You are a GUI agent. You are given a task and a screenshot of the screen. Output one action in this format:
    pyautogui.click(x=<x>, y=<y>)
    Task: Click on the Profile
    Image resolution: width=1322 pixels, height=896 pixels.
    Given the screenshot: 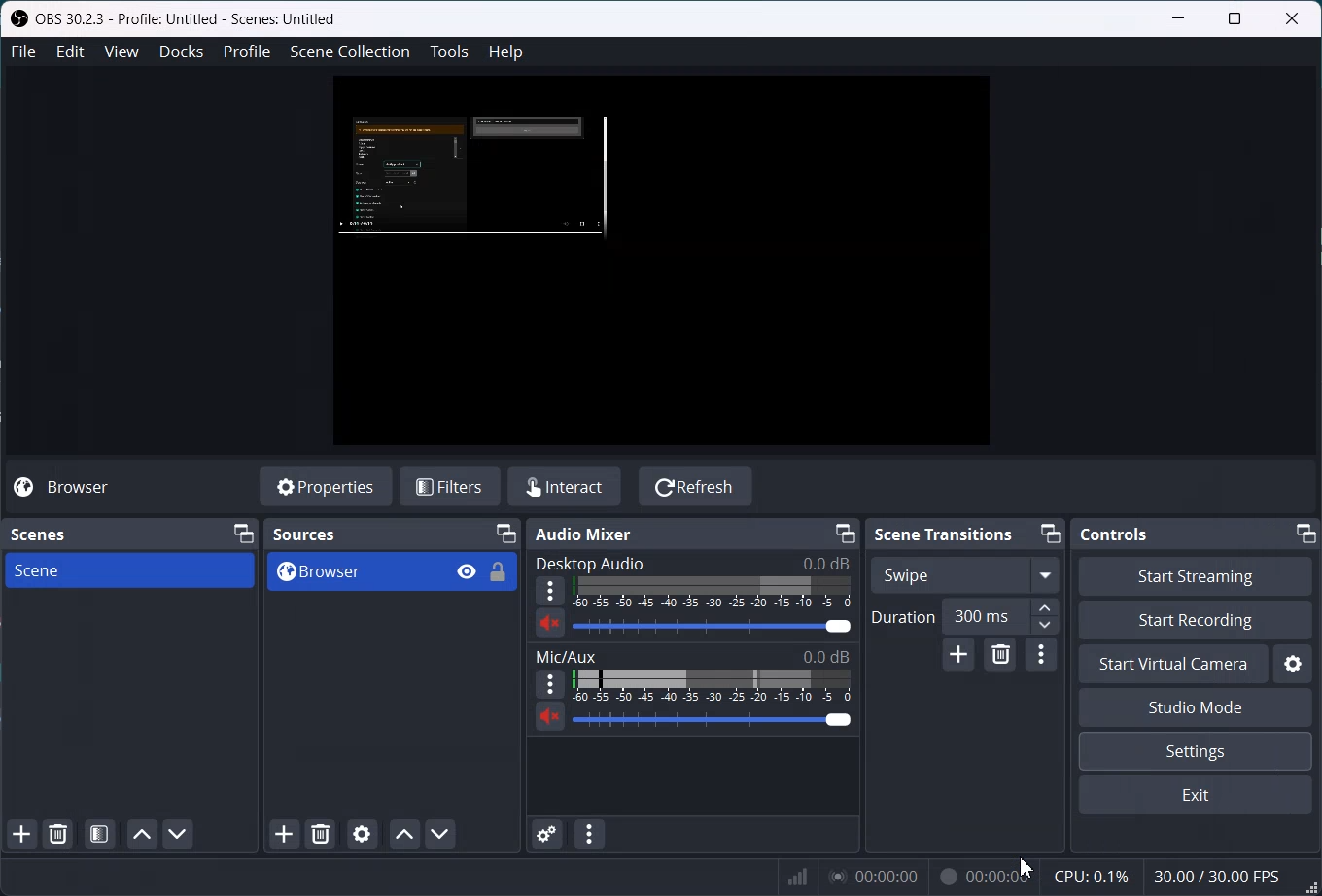 What is the action you would take?
    pyautogui.click(x=247, y=52)
    